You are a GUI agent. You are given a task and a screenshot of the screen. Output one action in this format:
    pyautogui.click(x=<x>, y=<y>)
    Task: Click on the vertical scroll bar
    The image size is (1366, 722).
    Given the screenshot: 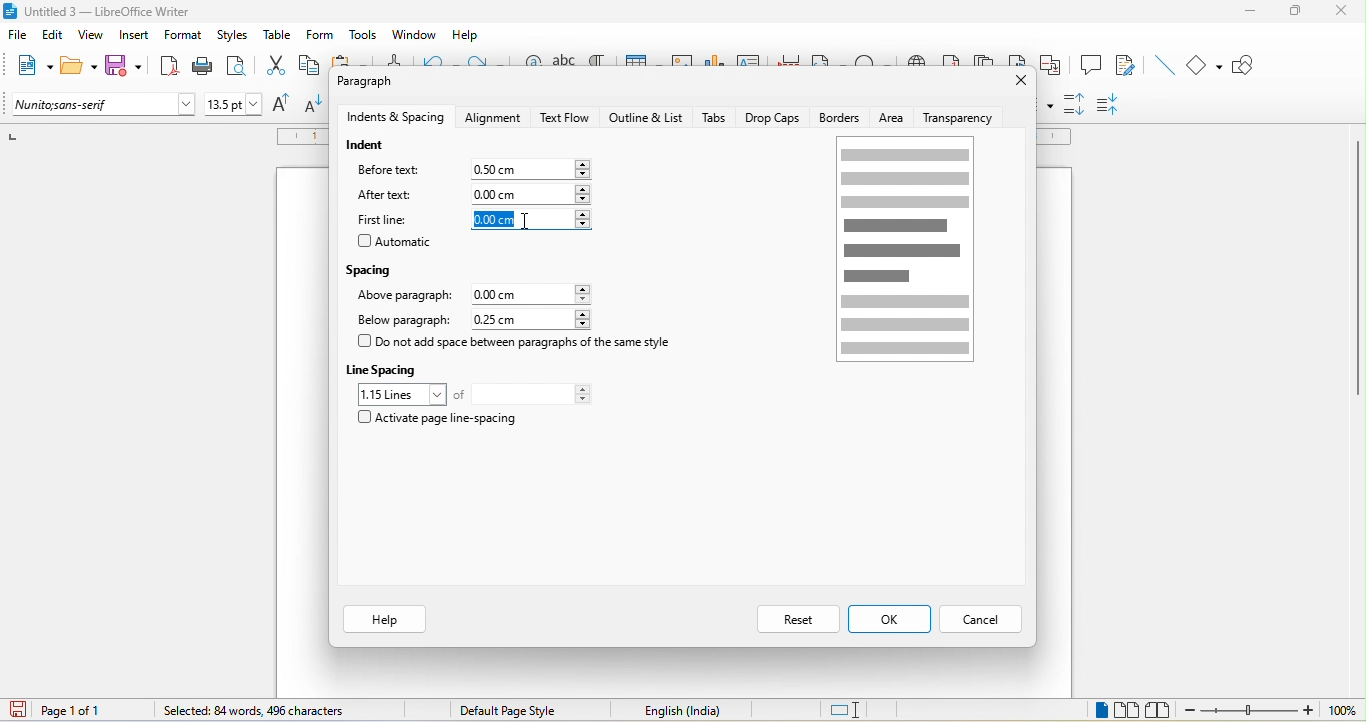 What is the action you would take?
    pyautogui.click(x=1357, y=270)
    